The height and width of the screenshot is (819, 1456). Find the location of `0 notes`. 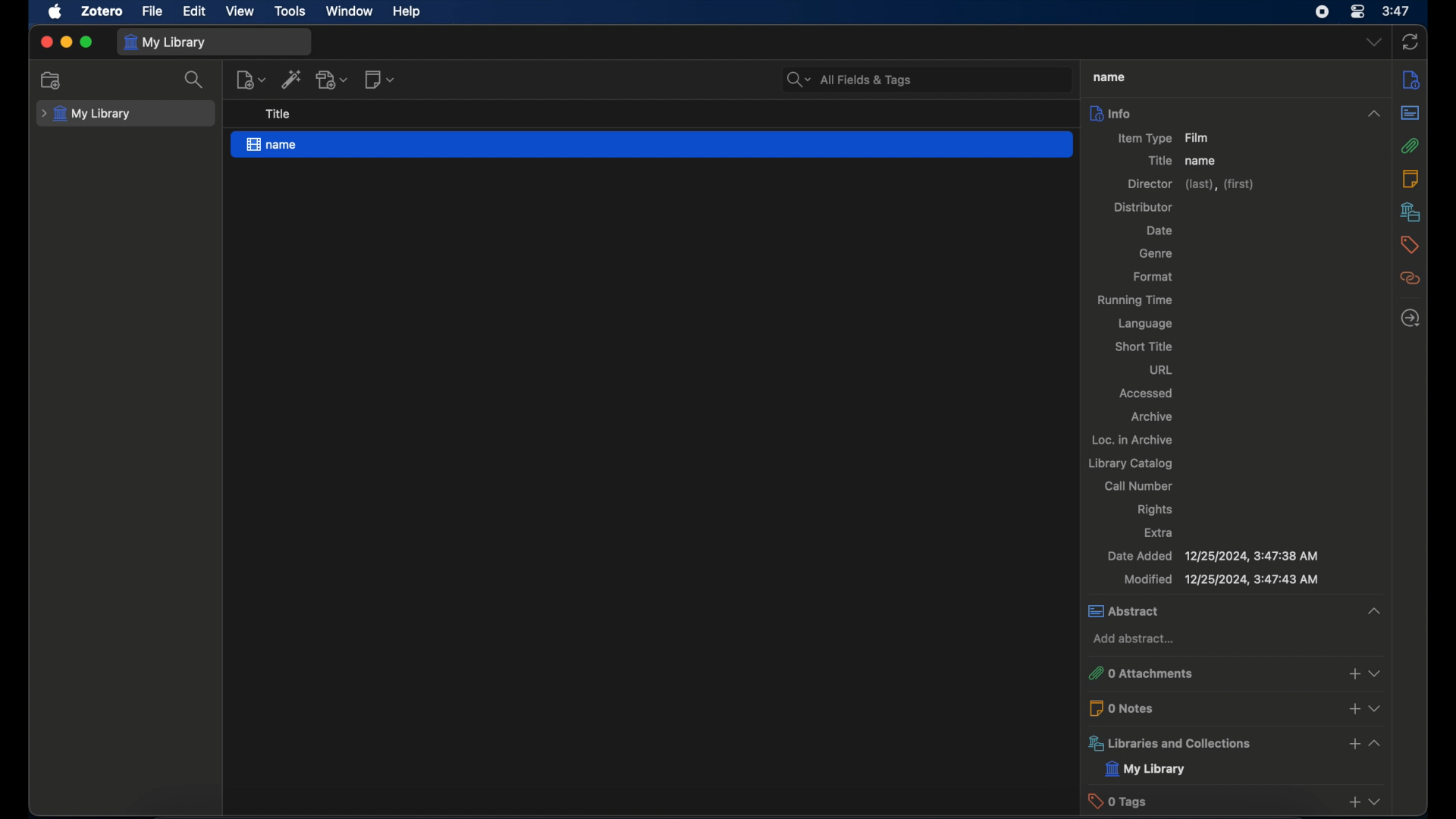

0 notes is located at coordinates (1212, 708).